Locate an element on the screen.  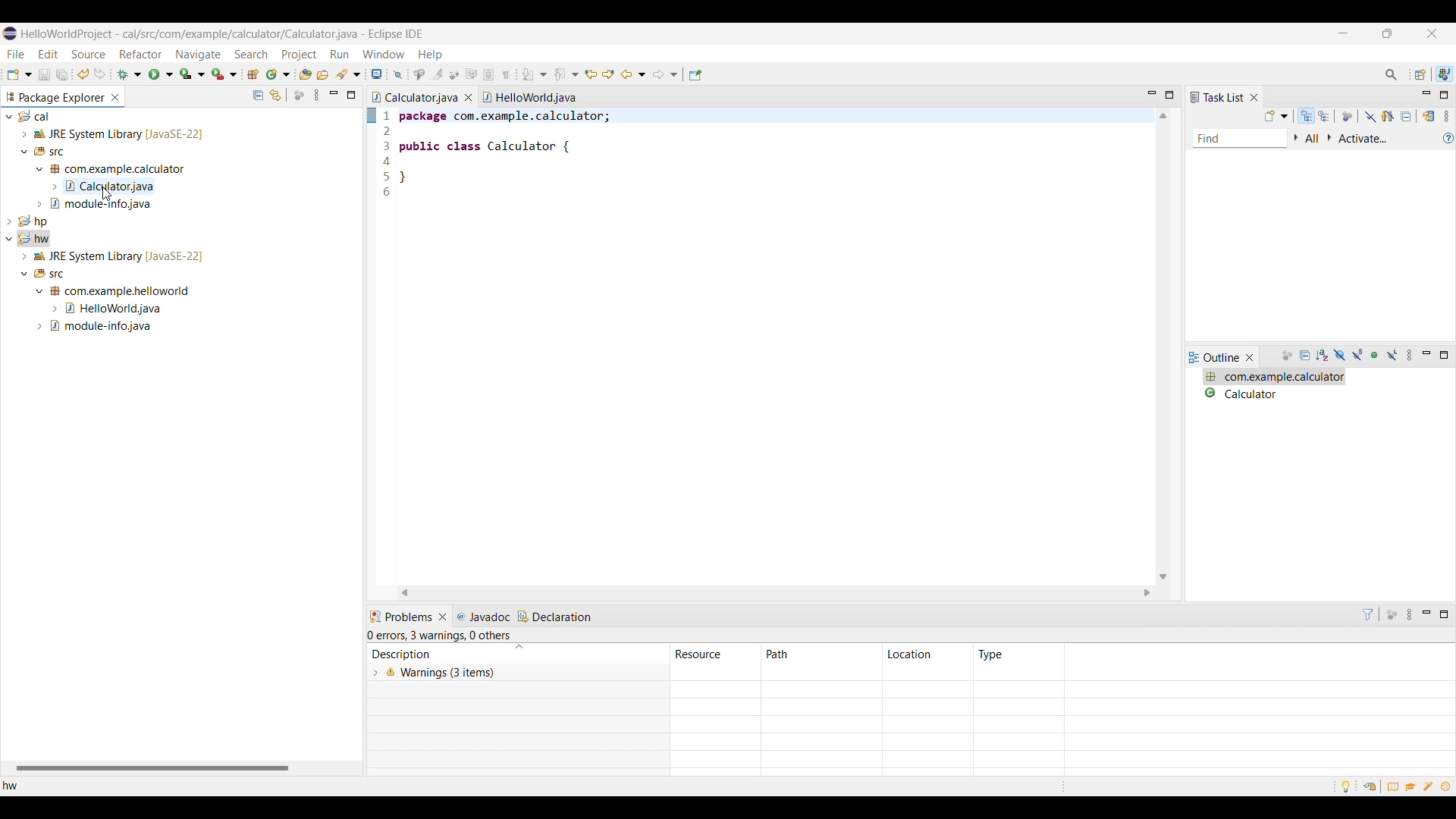
View menu is located at coordinates (1411, 356).